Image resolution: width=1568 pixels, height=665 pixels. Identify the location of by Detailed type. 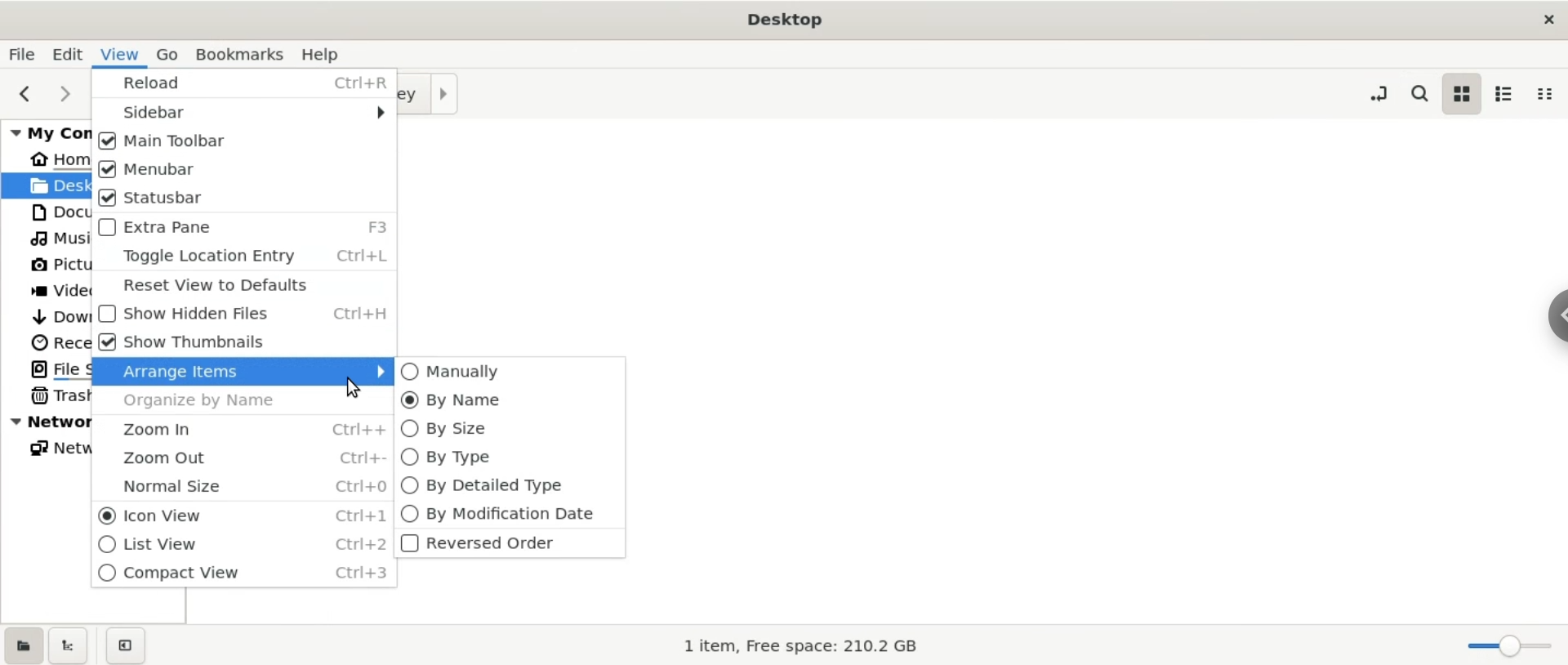
(510, 489).